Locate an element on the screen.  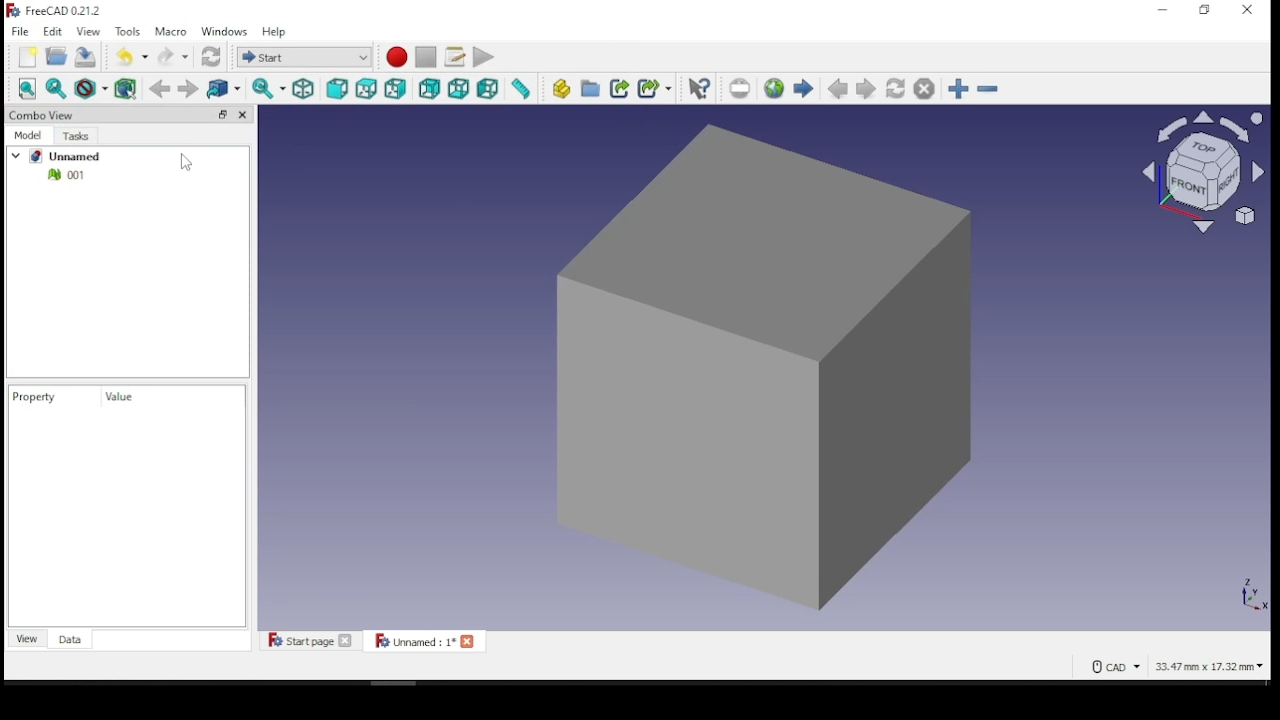
go to linked object is located at coordinates (224, 88).